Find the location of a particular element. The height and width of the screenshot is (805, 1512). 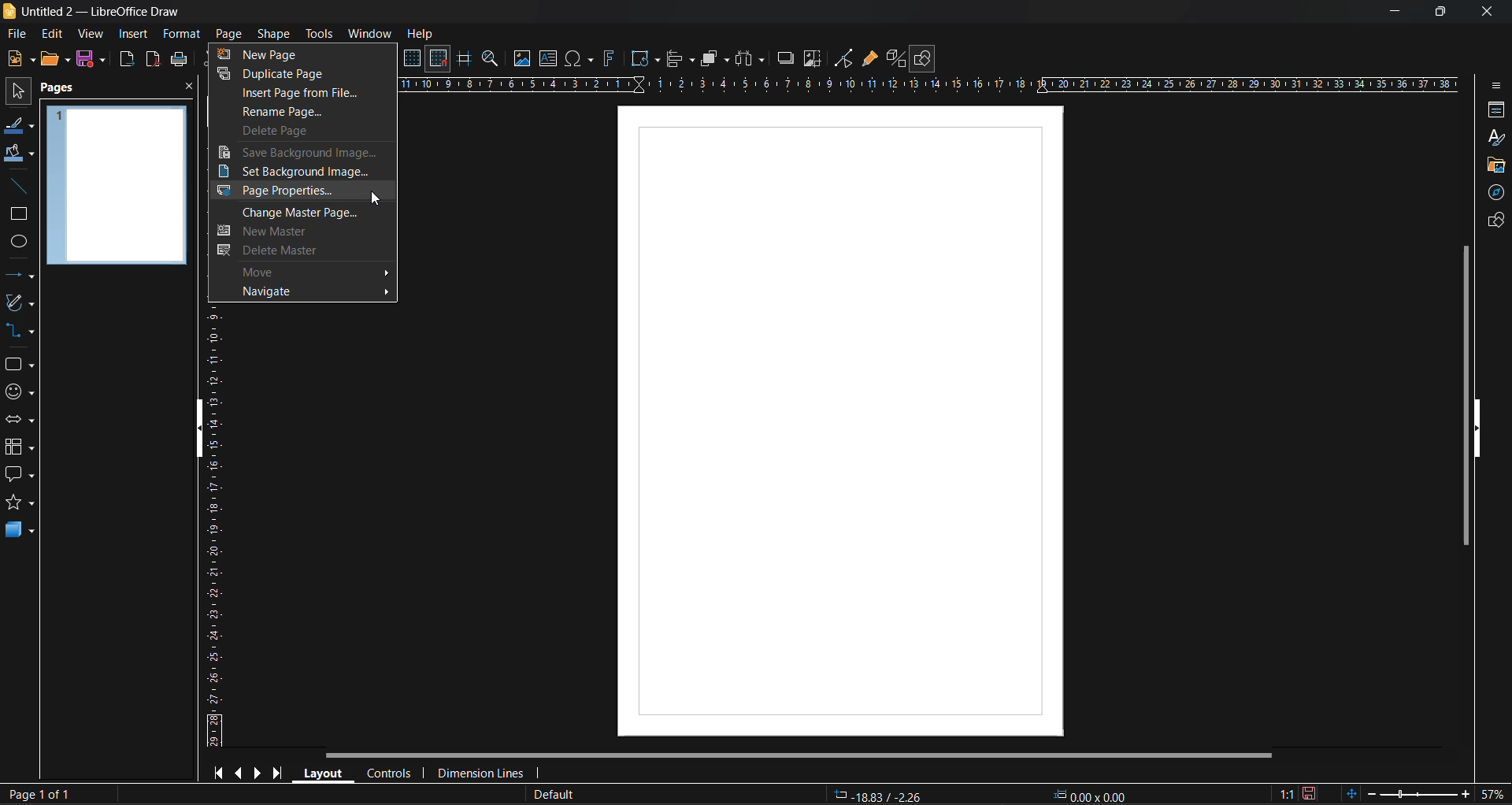

lines and arrows is located at coordinates (20, 276).